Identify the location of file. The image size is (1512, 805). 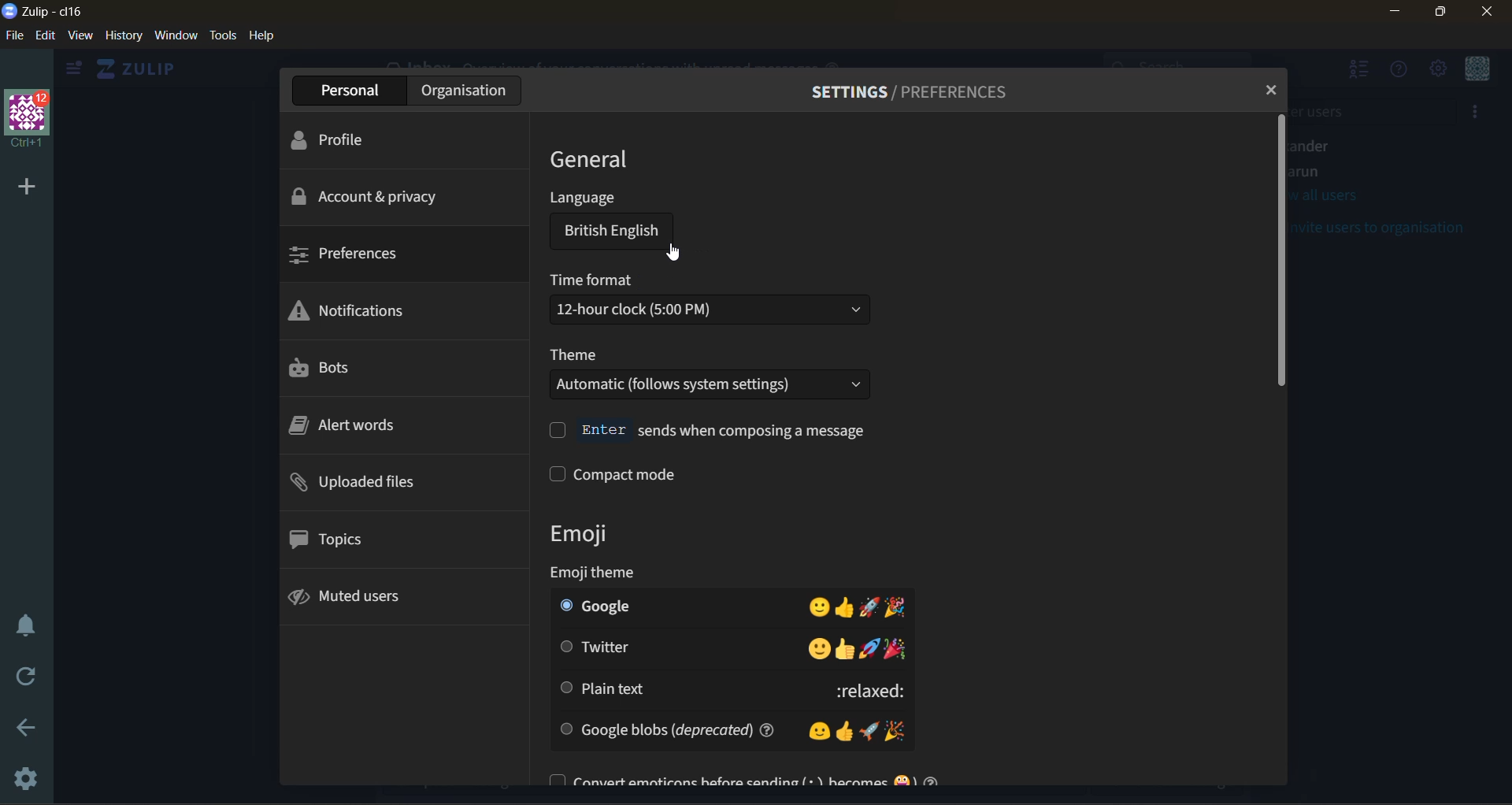
(13, 36).